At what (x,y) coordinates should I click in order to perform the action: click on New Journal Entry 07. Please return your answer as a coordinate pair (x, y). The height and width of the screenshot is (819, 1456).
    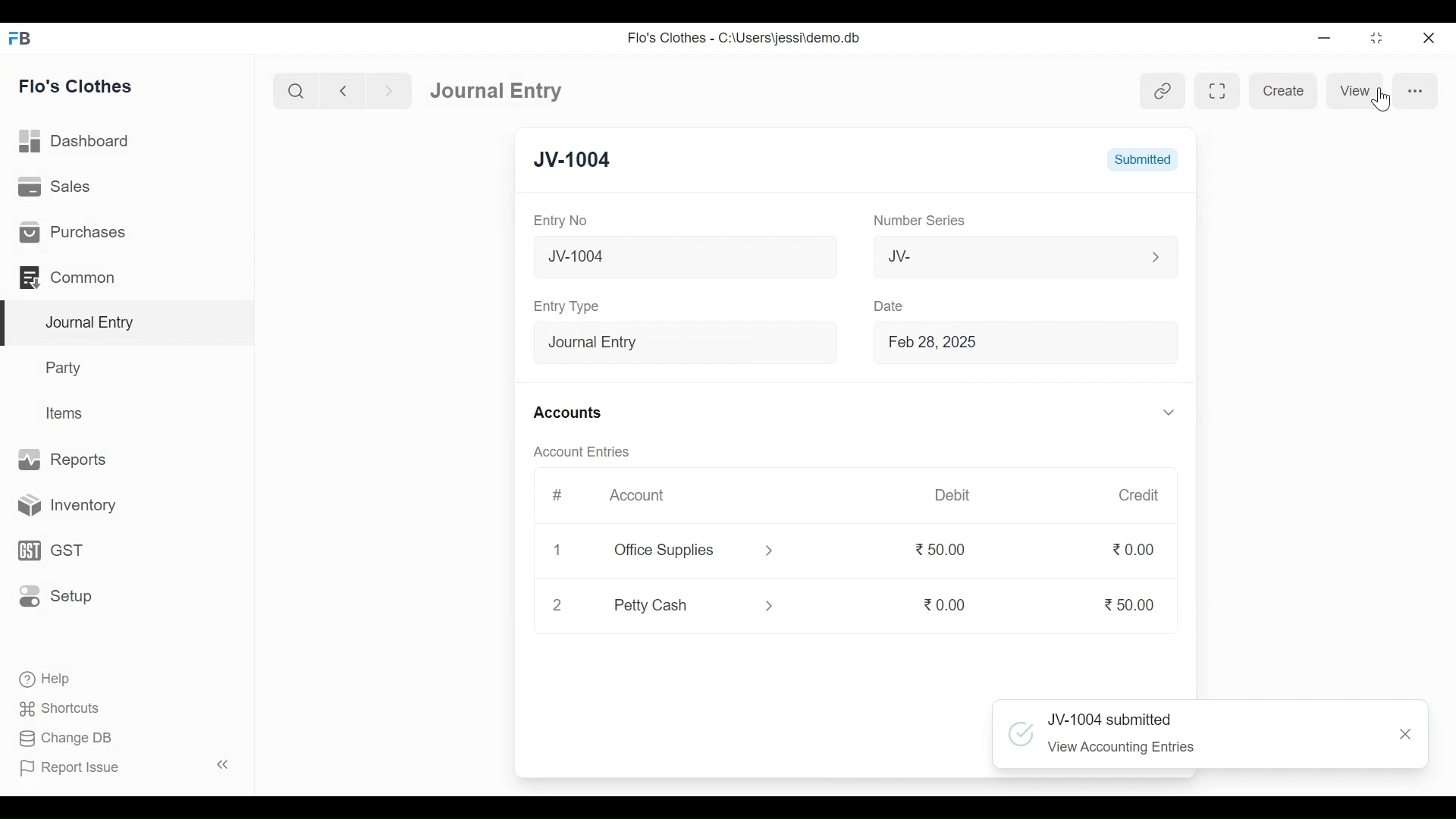
    Looking at the image, I should click on (684, 259).